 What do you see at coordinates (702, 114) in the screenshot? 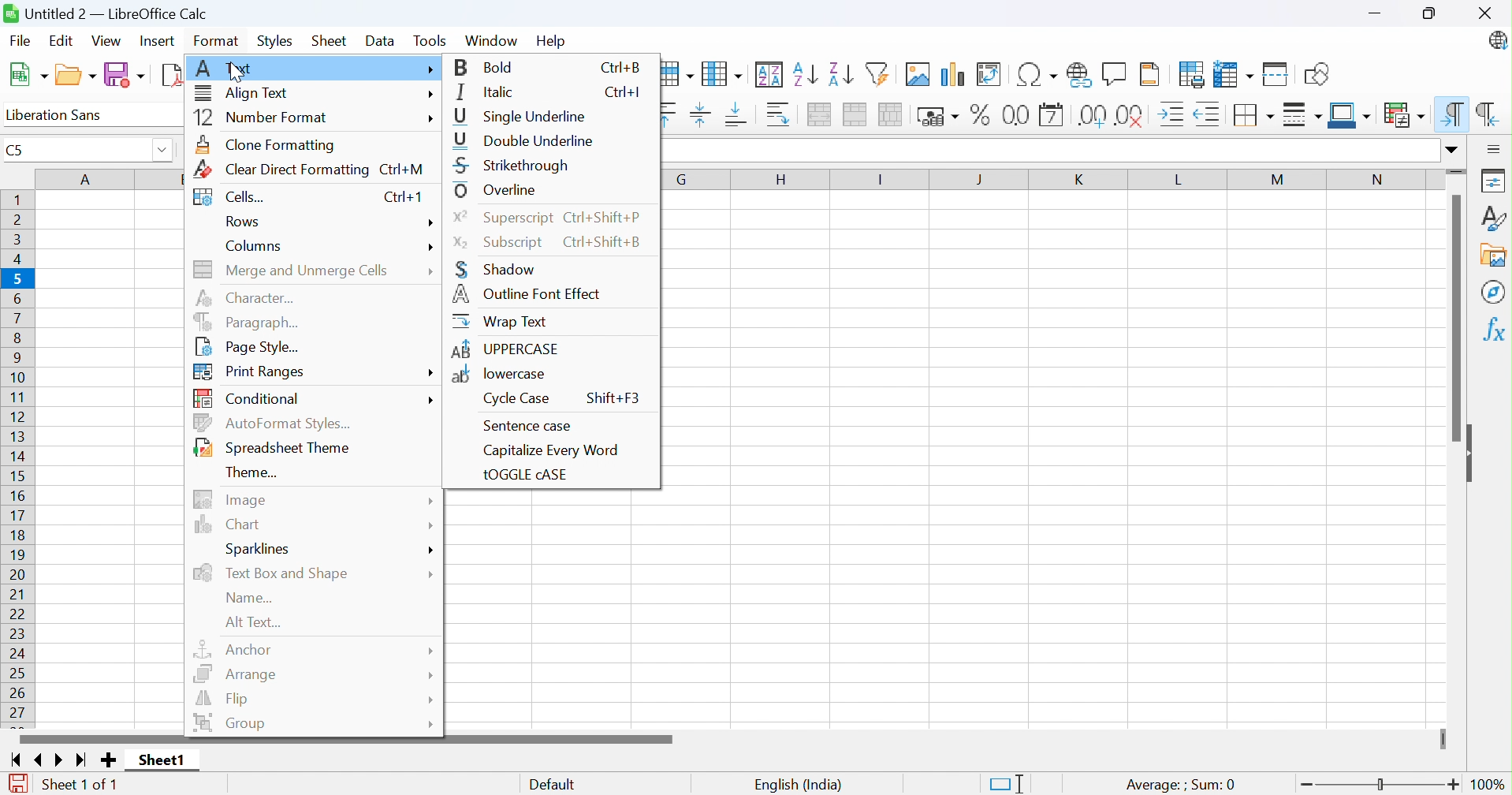
I see `Align vertically` at bounding box center [702, 114].